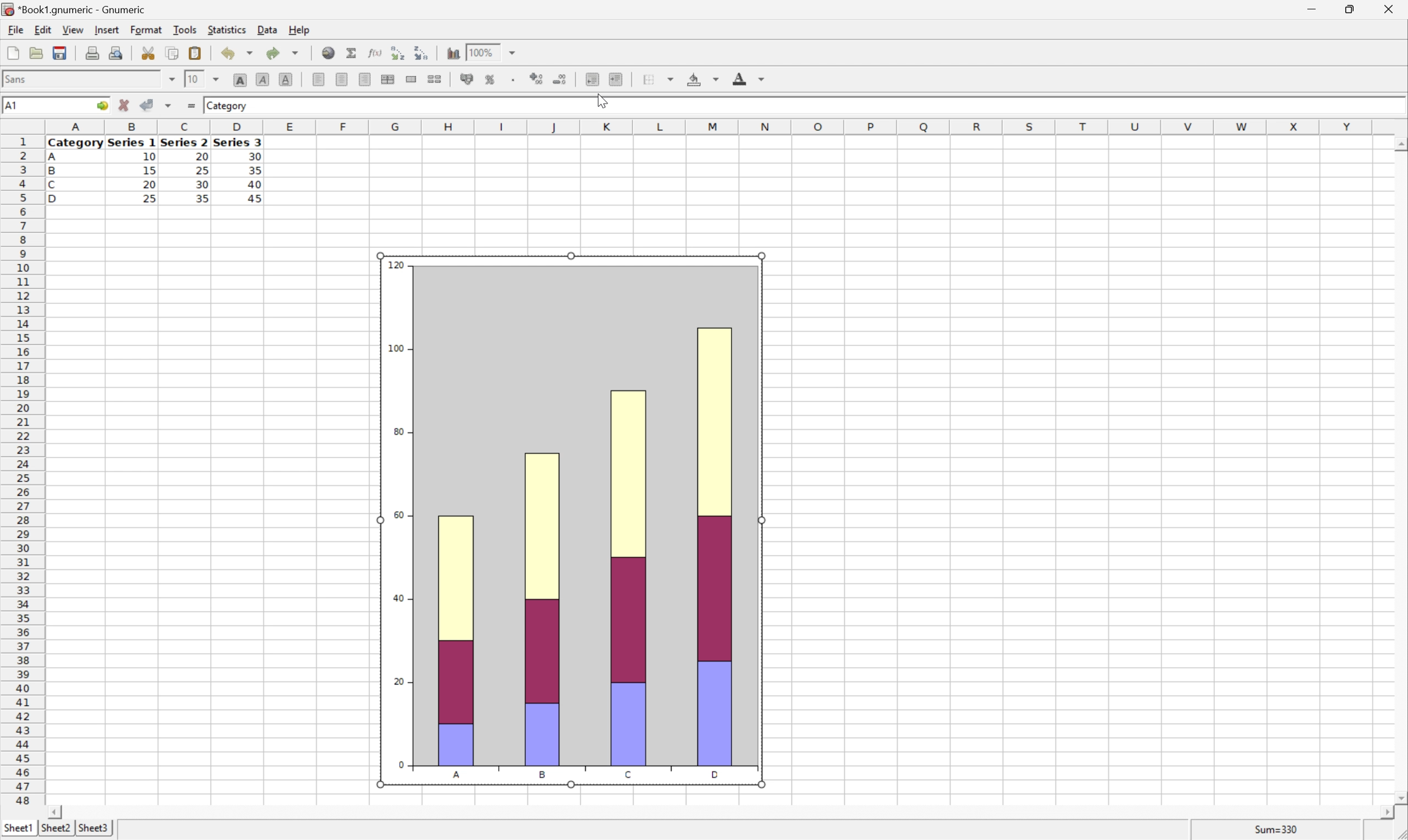 This screenshot has height=840, width=1408. What do you see at coordinates (16, 29) in the screenshot?
I see `File` at bounding box center [16, 29].